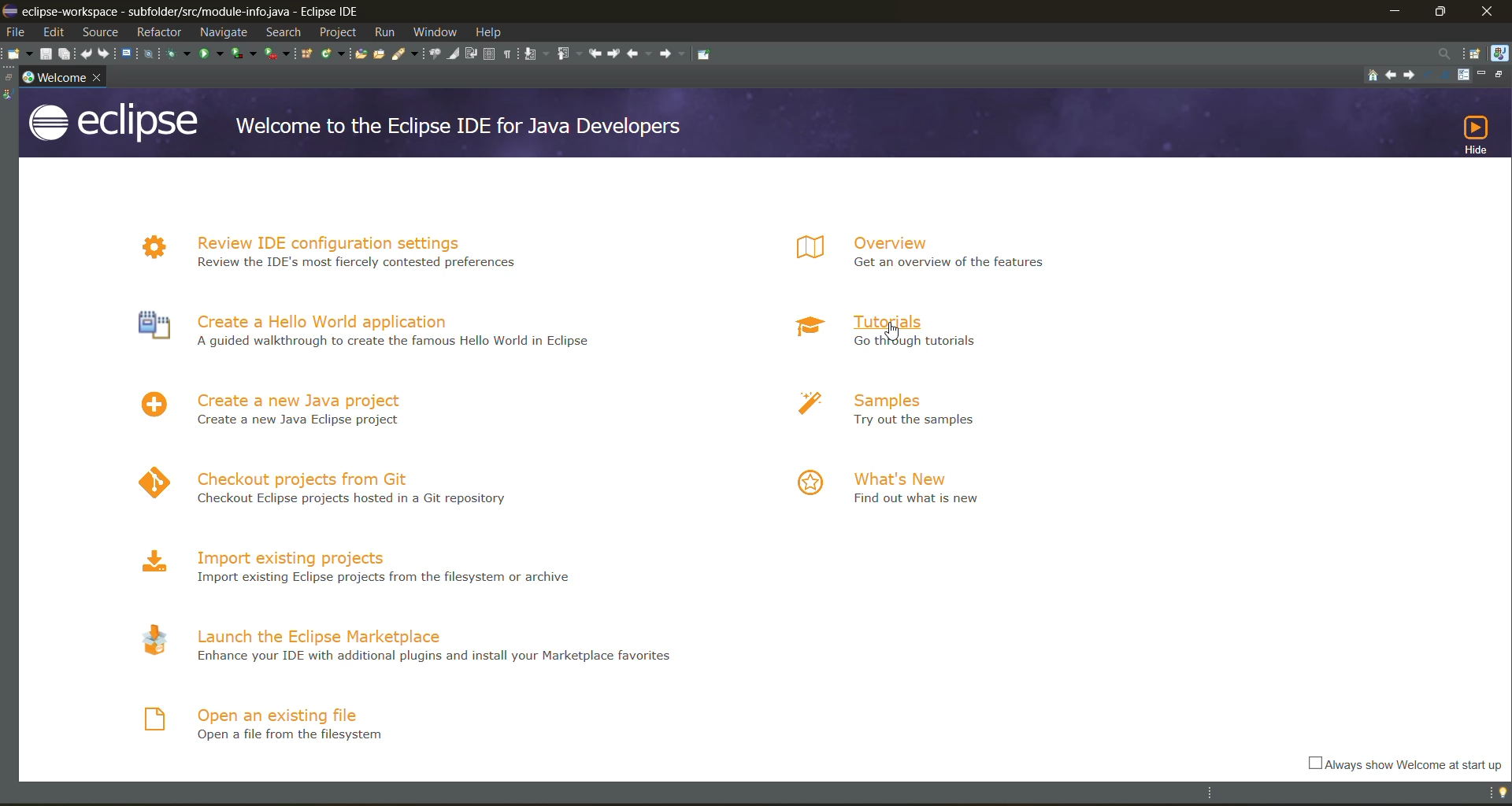  Describe the element at coordinates (1501, 75) in the screenshot. I see `restore` at that location.